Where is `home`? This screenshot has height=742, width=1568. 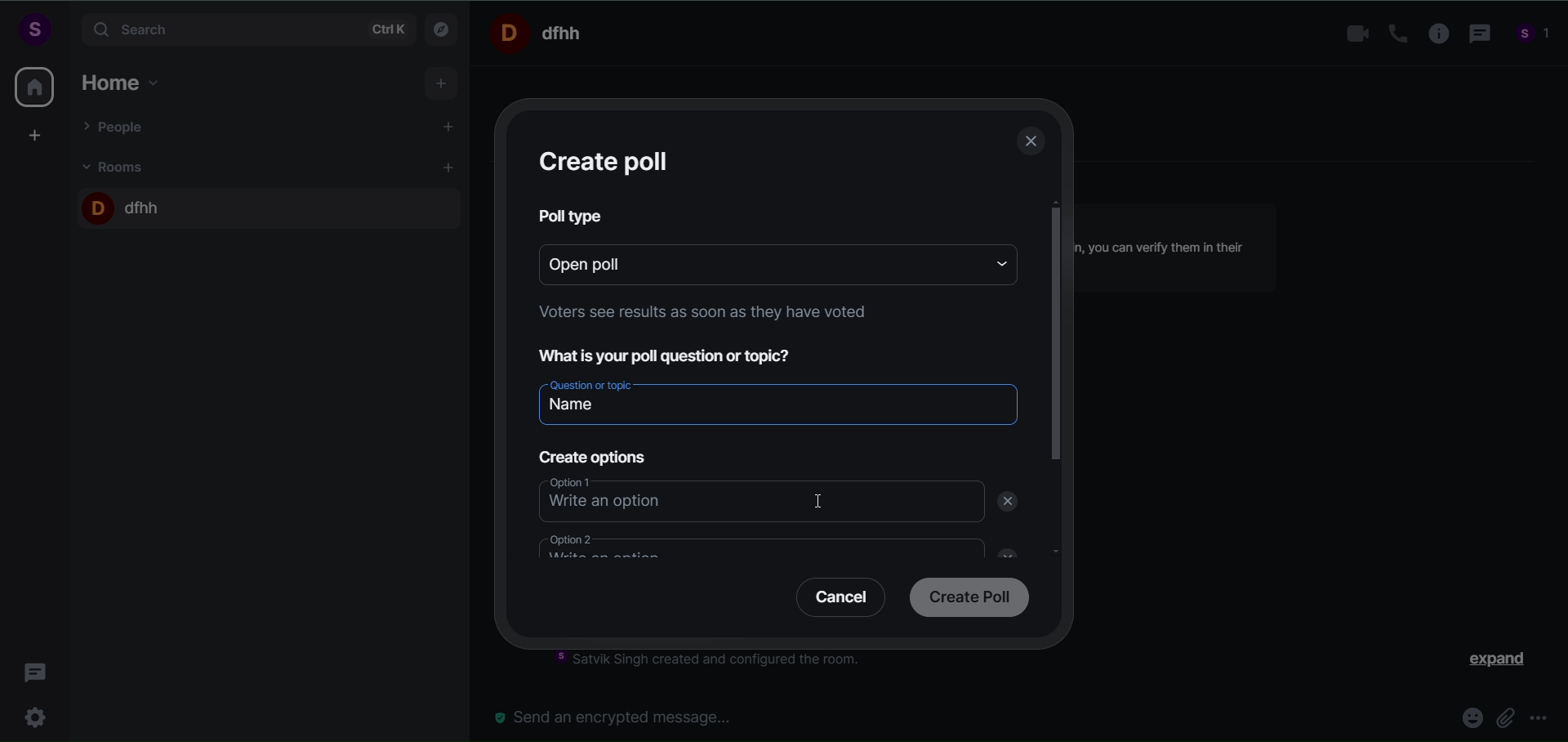 home is located at coordinates (34, 87).